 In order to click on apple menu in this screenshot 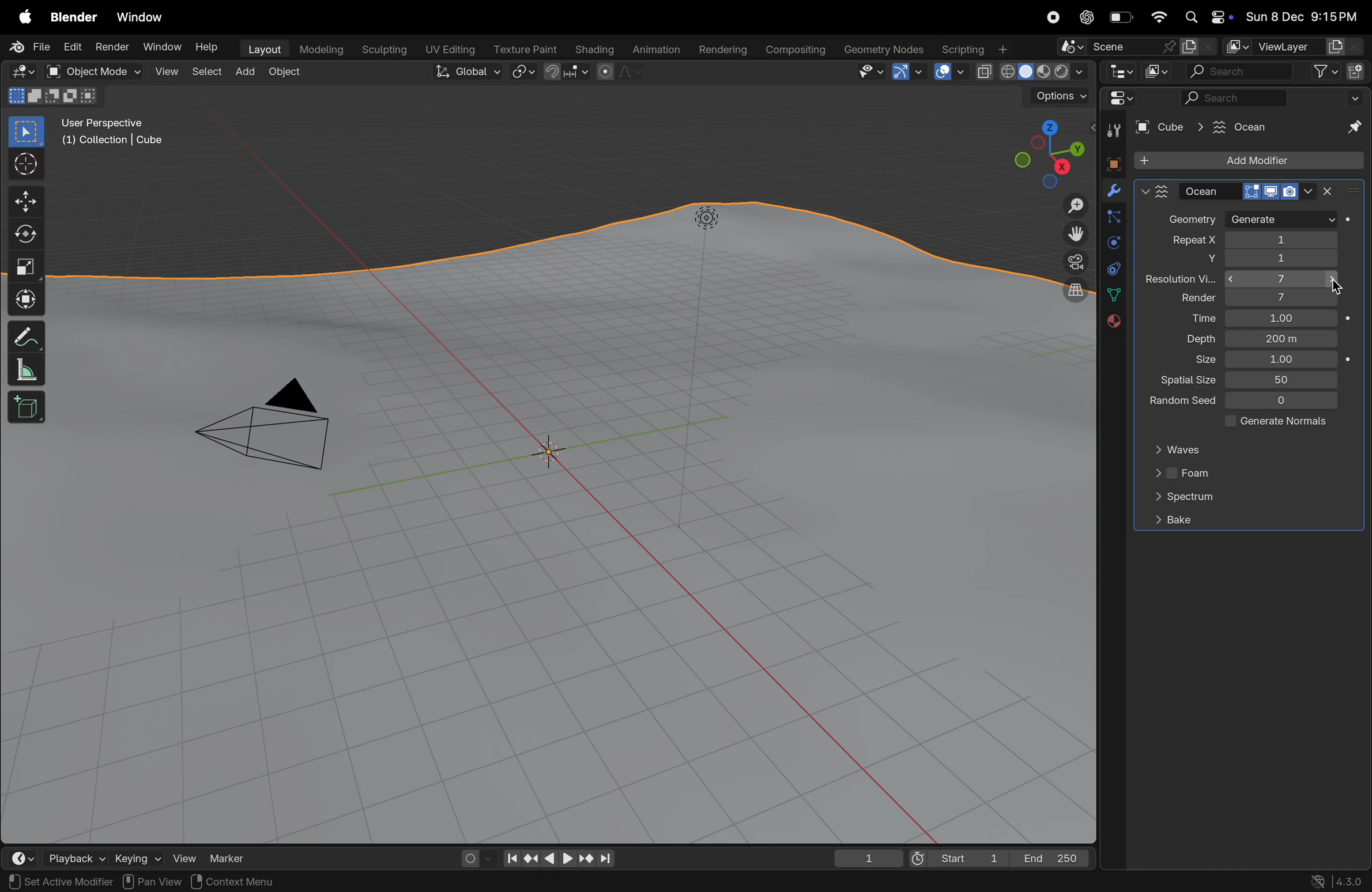, I will do `click(26, 18)`.